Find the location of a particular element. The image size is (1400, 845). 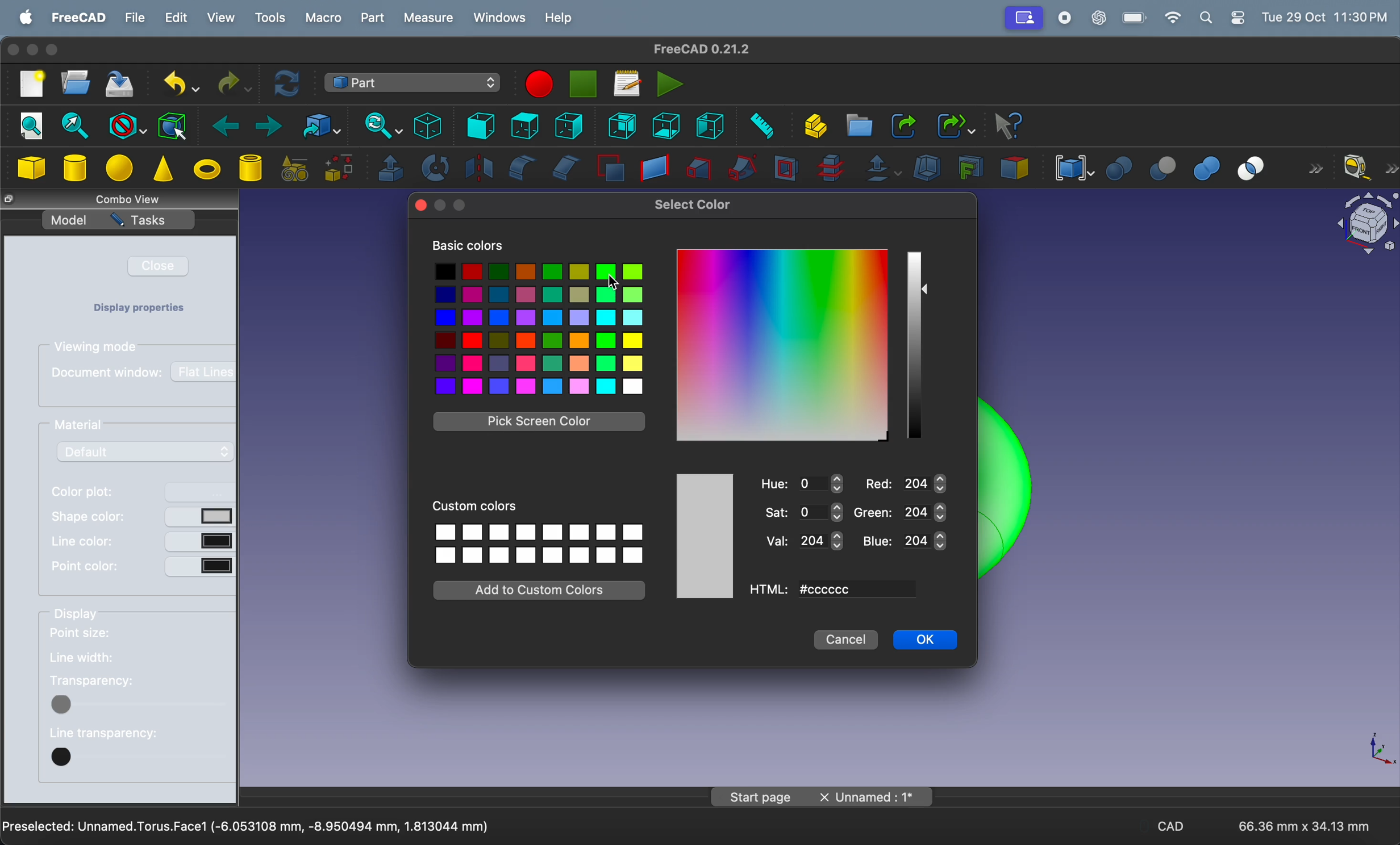

settings is located at coordinates (1239, 18).